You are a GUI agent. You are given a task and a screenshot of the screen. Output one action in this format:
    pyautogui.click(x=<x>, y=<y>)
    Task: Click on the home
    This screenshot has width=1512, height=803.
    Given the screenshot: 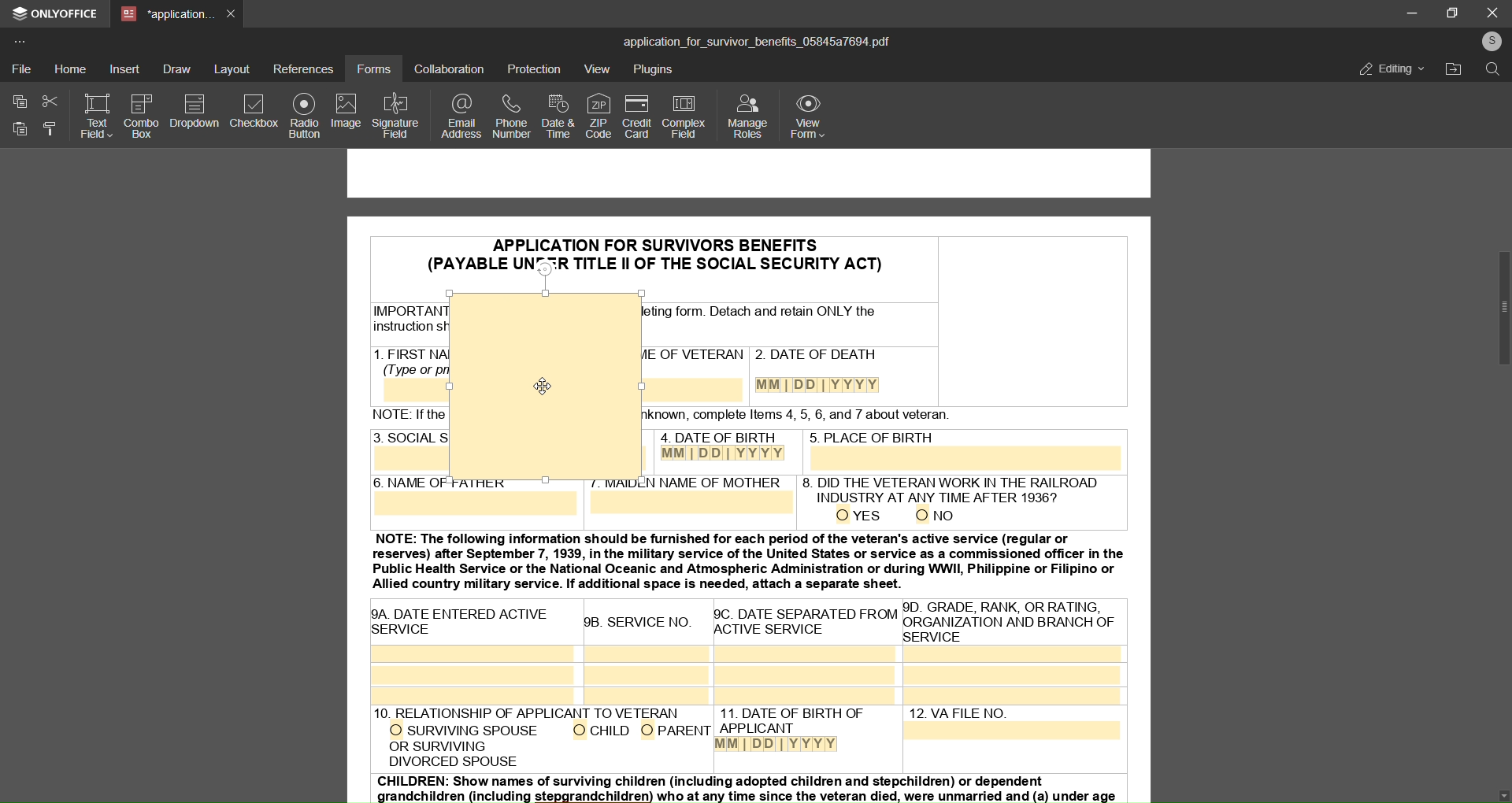 What is the action you would take?
    pyautogui.click(x=71, y=68)
    